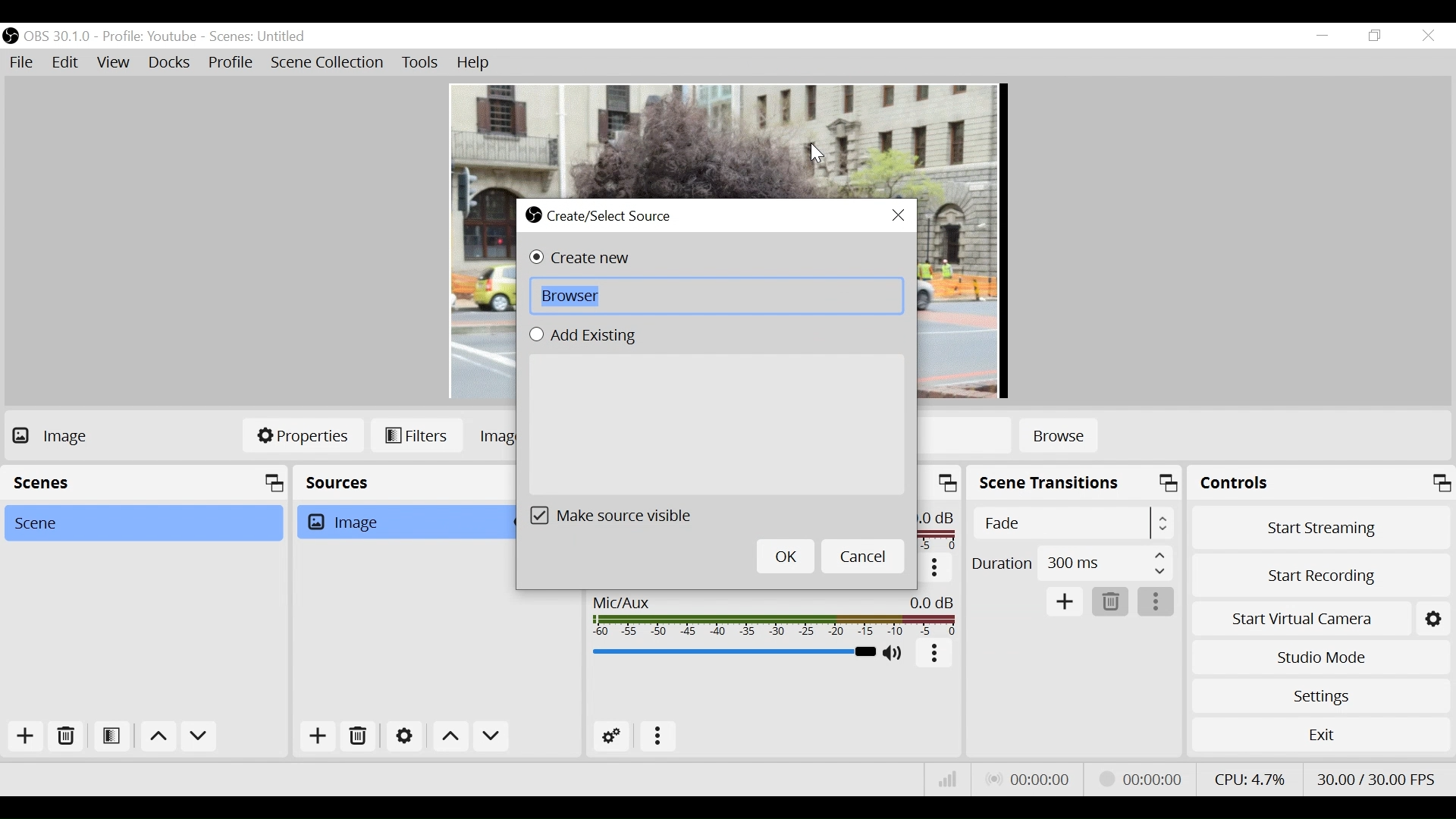 The height and width of the screenshot is (819, 1456). I want to click on Browse Field, so click(717, 296).